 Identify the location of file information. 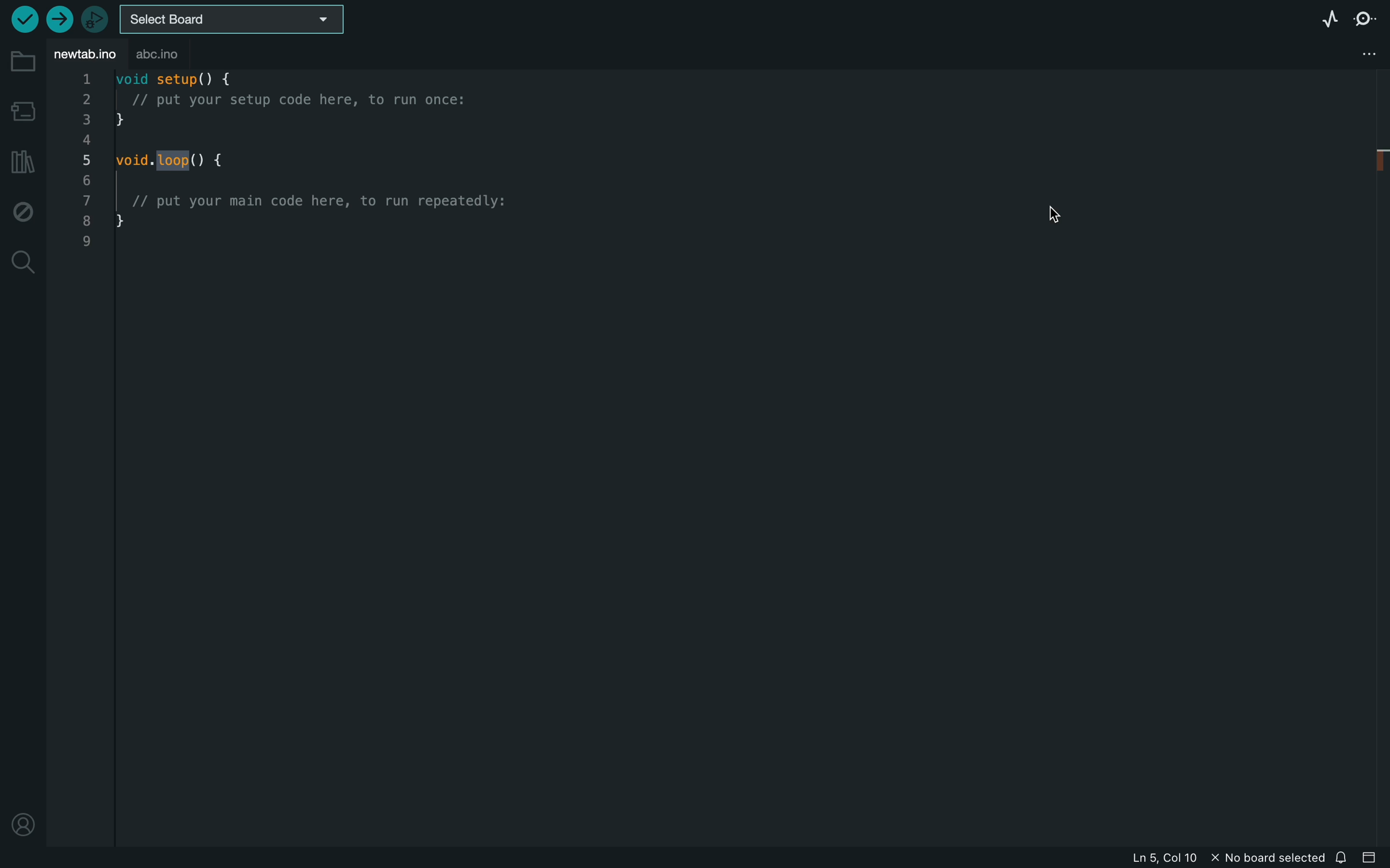
(1171, 858).